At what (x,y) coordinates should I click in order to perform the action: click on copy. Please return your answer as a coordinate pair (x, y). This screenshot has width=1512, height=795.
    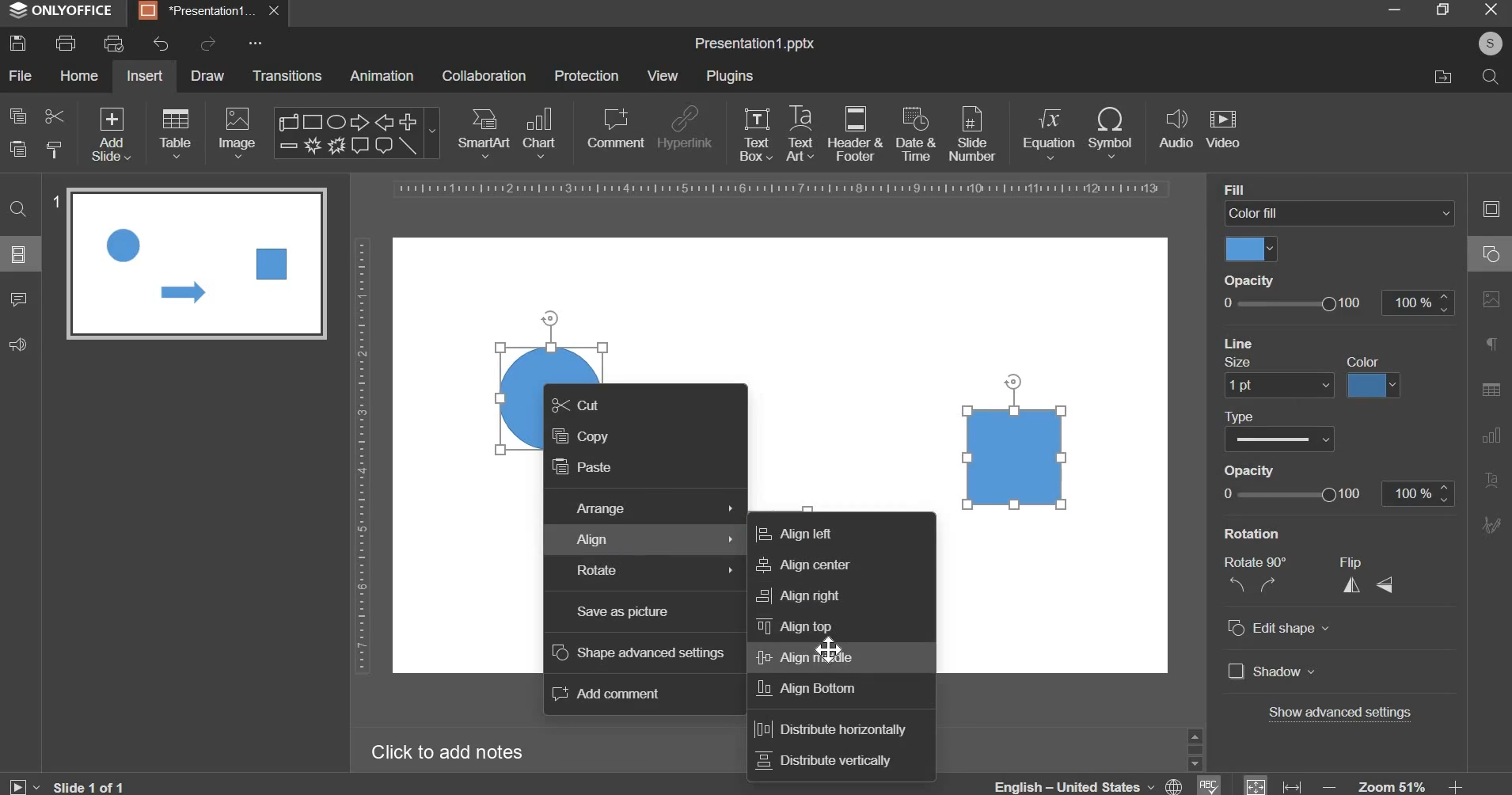
    Looking at the image, I should click on (18, 116).